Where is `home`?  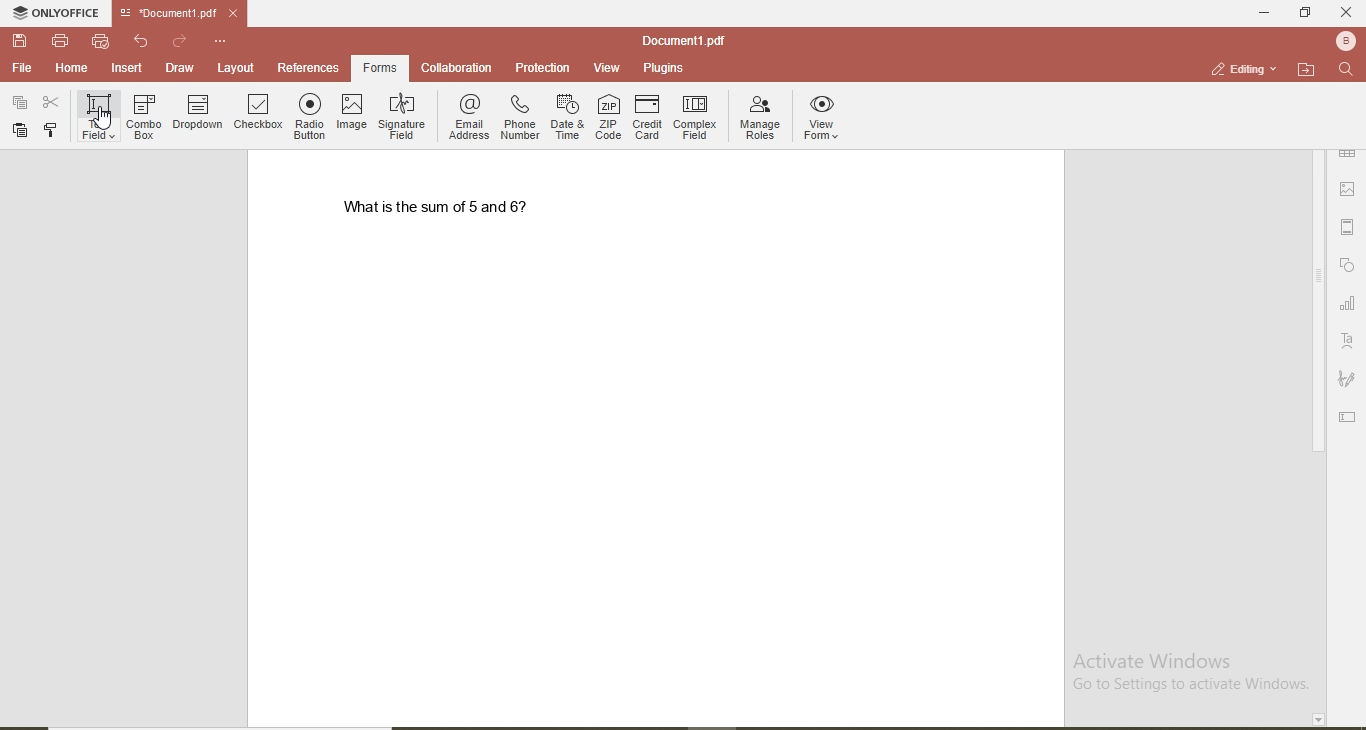 home is located at coordinates (73, 69).